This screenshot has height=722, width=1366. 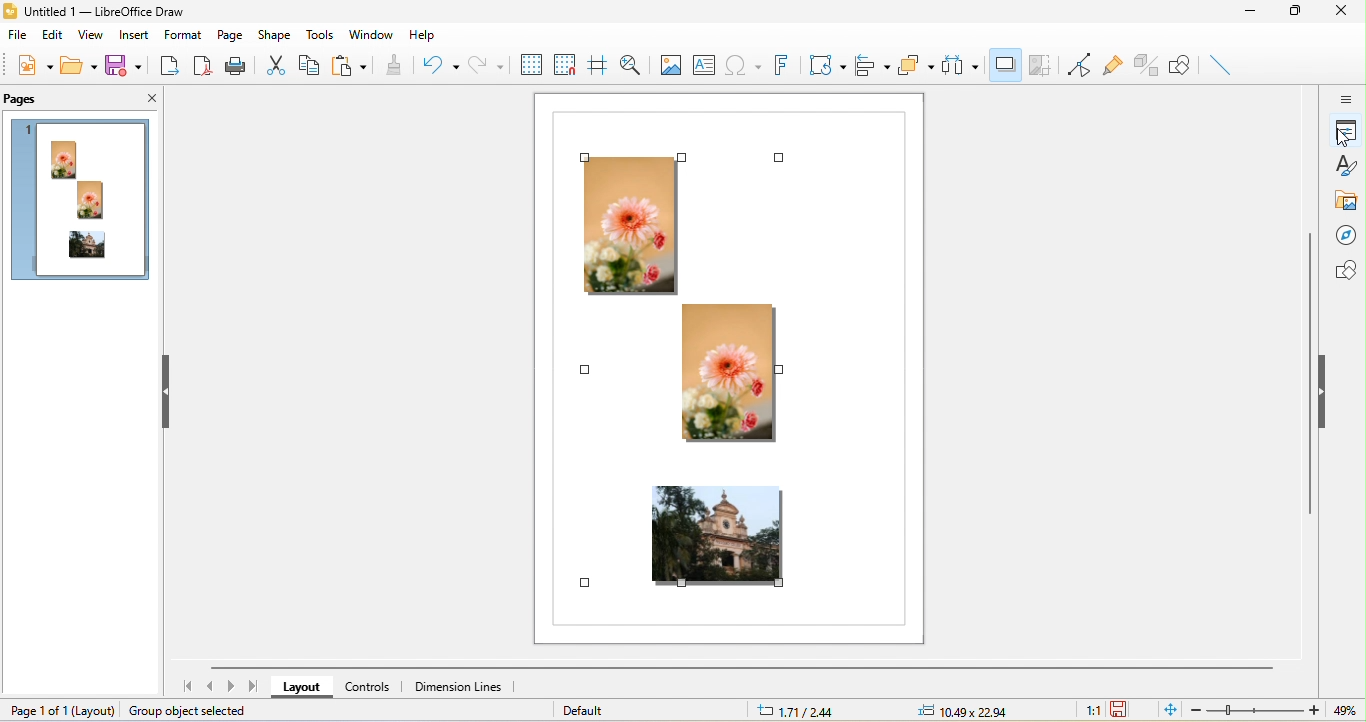 I want to click on redo, so click(x=485, y=63).